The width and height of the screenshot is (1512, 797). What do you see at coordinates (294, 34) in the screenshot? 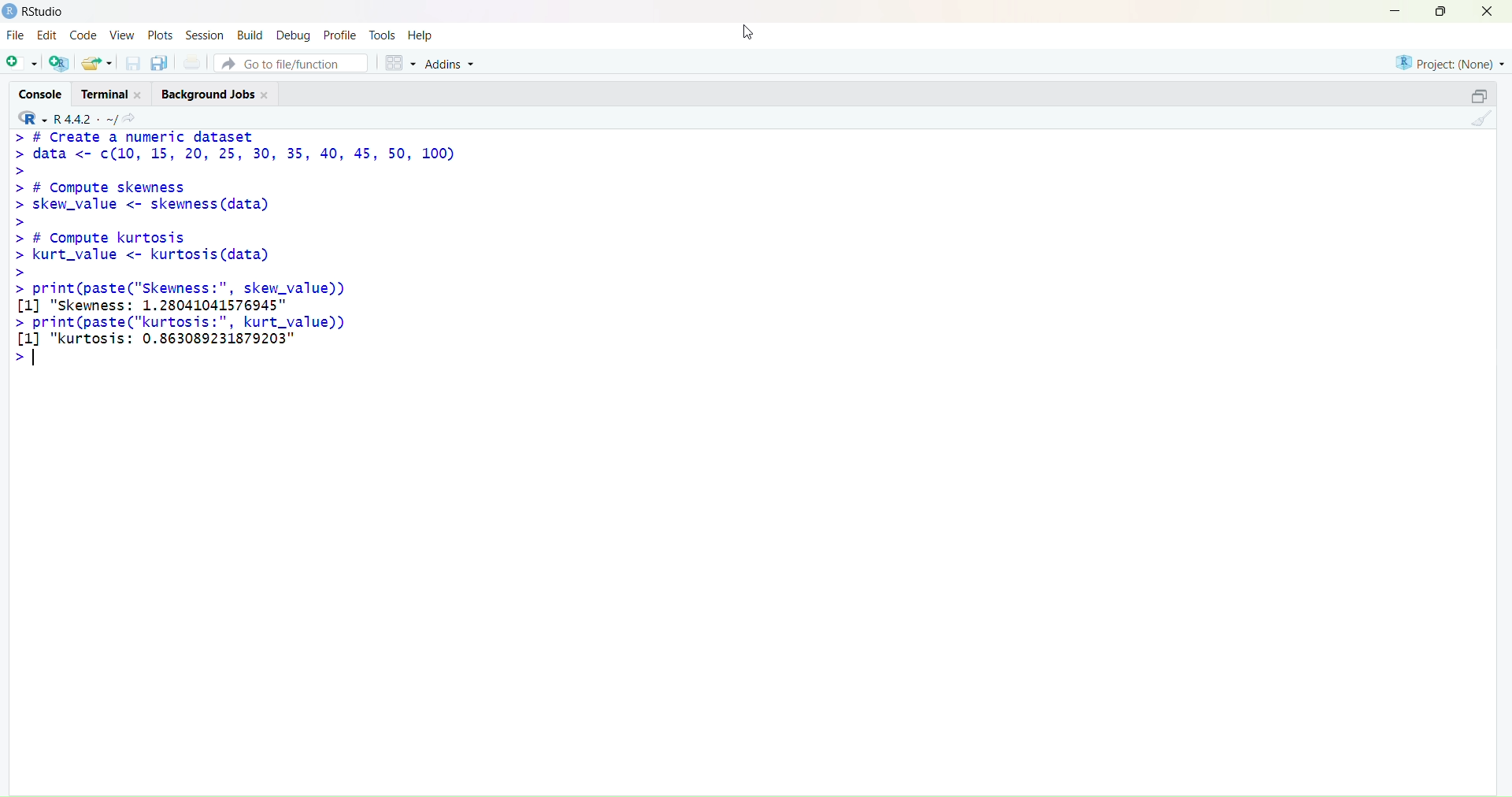
I see `Debug` at bounding box center [294, 34].